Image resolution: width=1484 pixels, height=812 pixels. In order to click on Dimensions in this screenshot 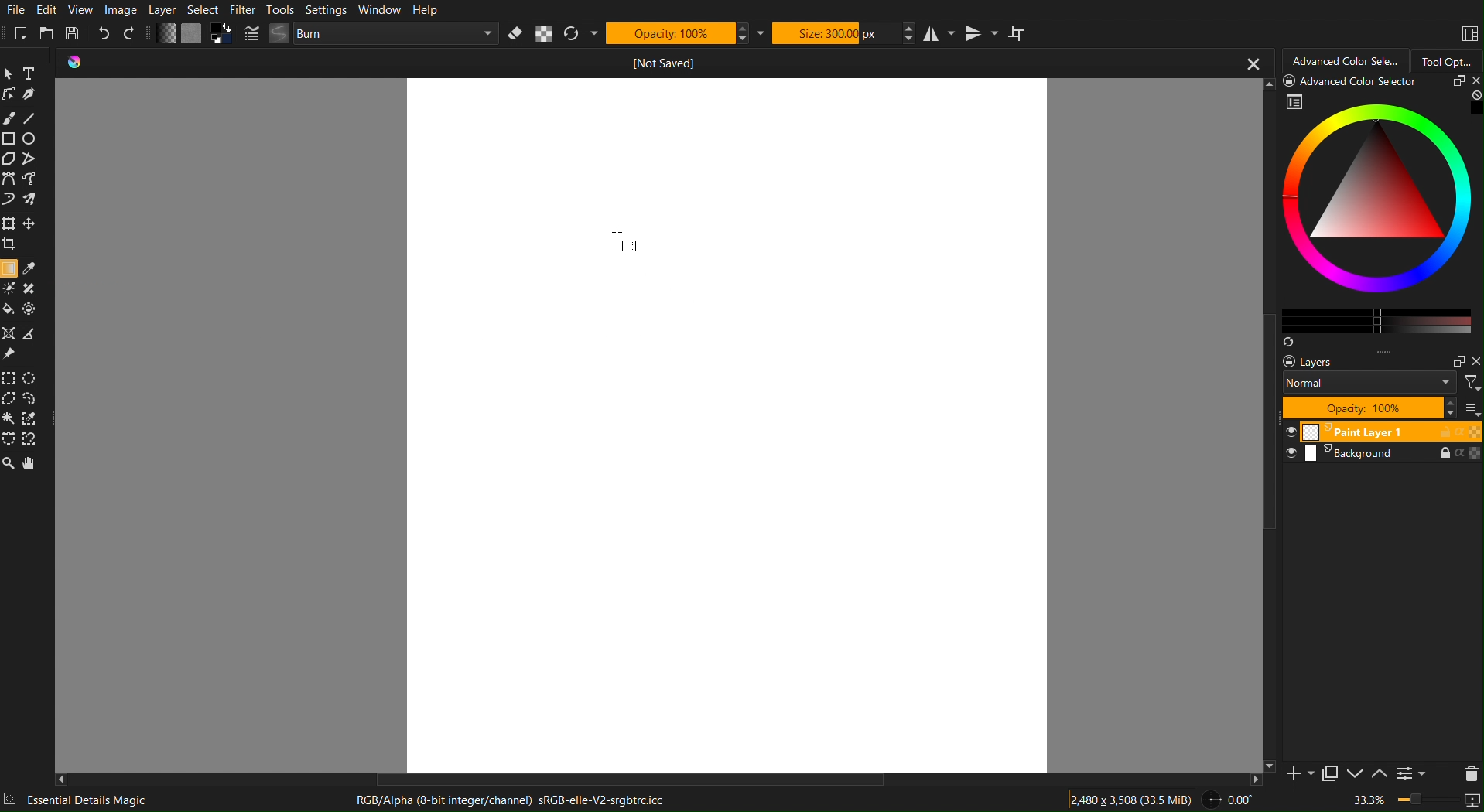, I will do `click(1133, 799)`.